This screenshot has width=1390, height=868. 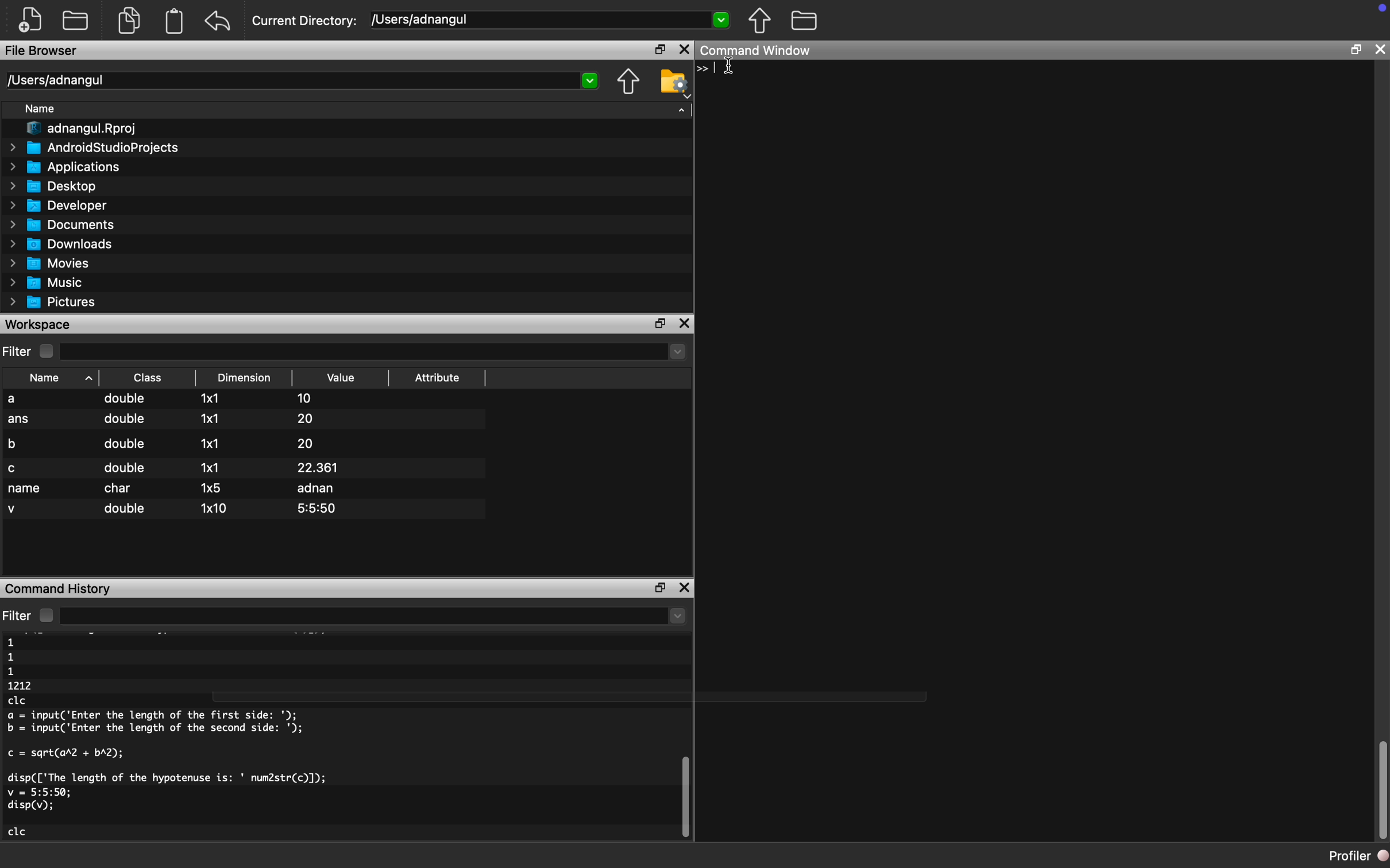 I want to click on Value, so click(x=341, y=377).